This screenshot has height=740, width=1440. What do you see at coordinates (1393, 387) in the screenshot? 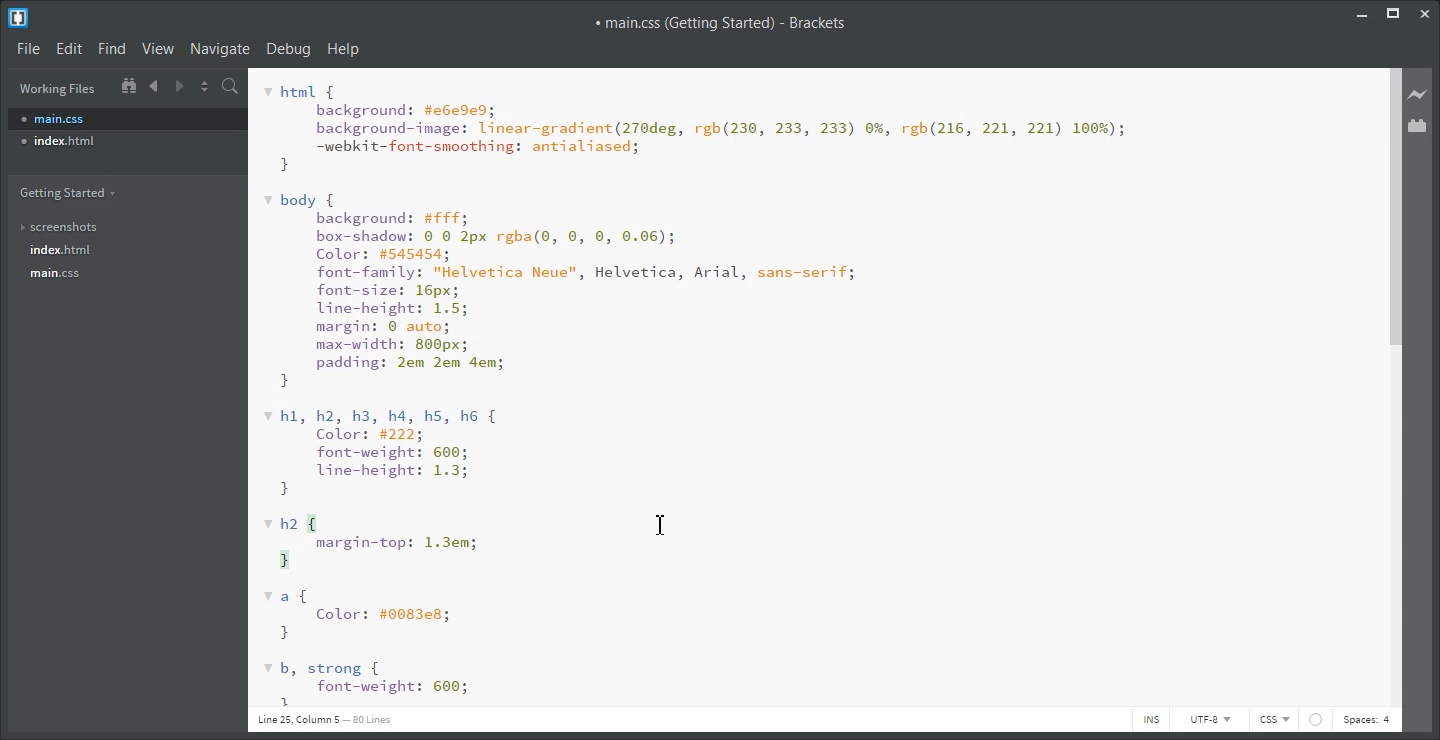
I see `Vertical Scroll bar` at bounding box center [1393, 387].